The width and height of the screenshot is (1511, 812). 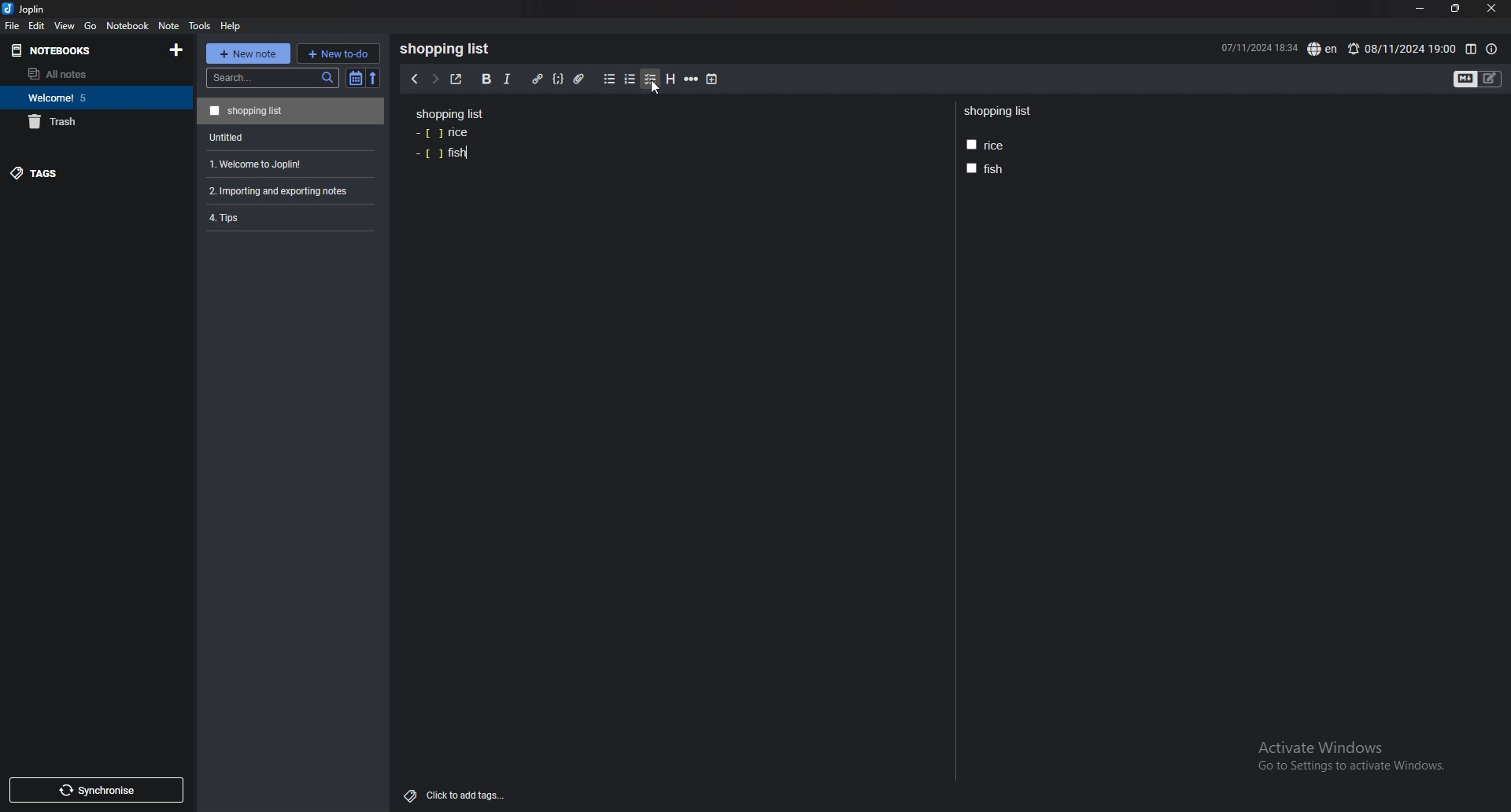 What do you see at coordinates (247, 54) in the screenshot?
I see `new note` at bounding box center [247, 54].